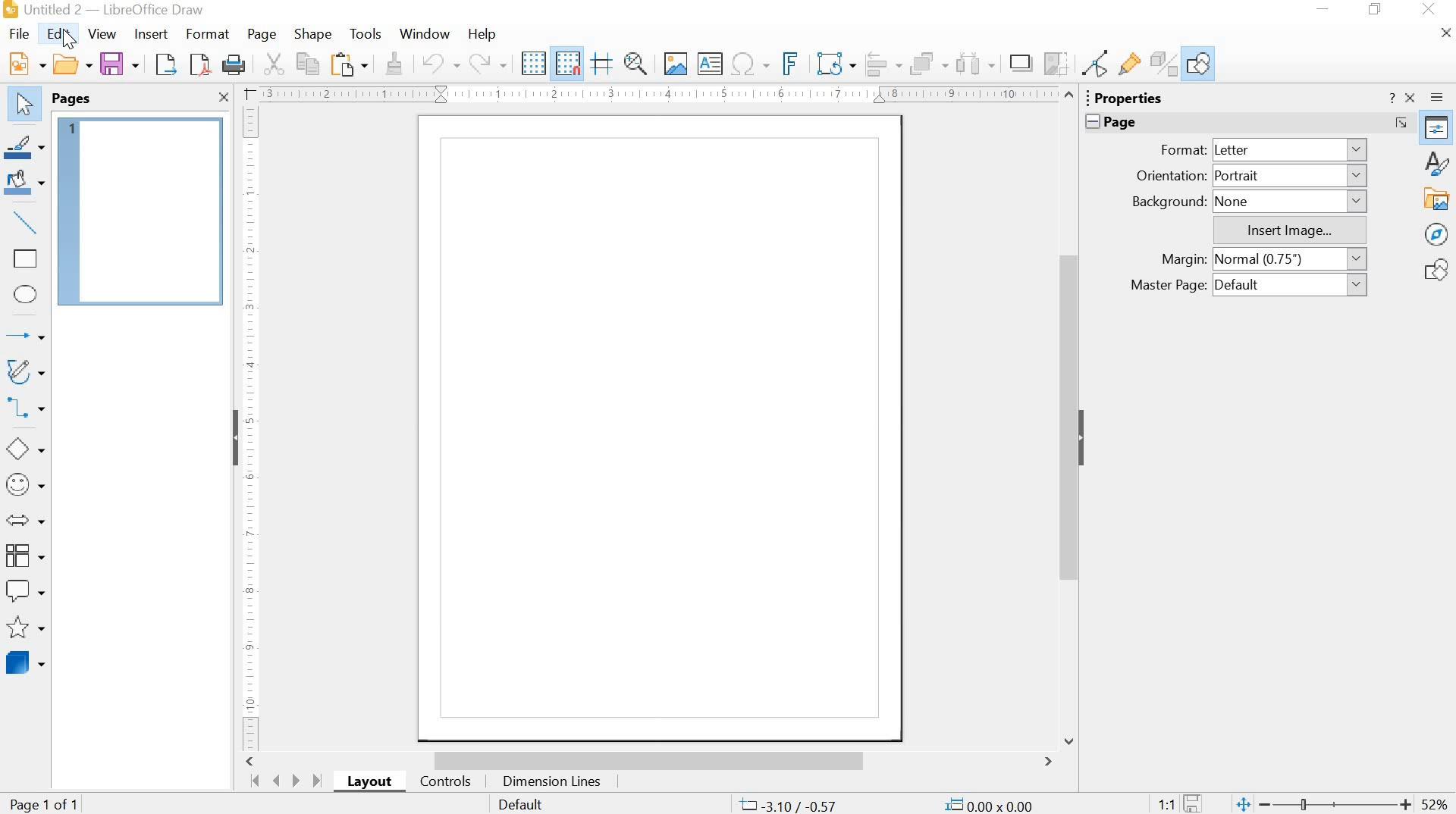 The height and width of the screenshot is (814, 1456). What do you see at coordinates (1055, 61) in the screenshot?
I see `Crop Image` at bounding box center [1055, 61].